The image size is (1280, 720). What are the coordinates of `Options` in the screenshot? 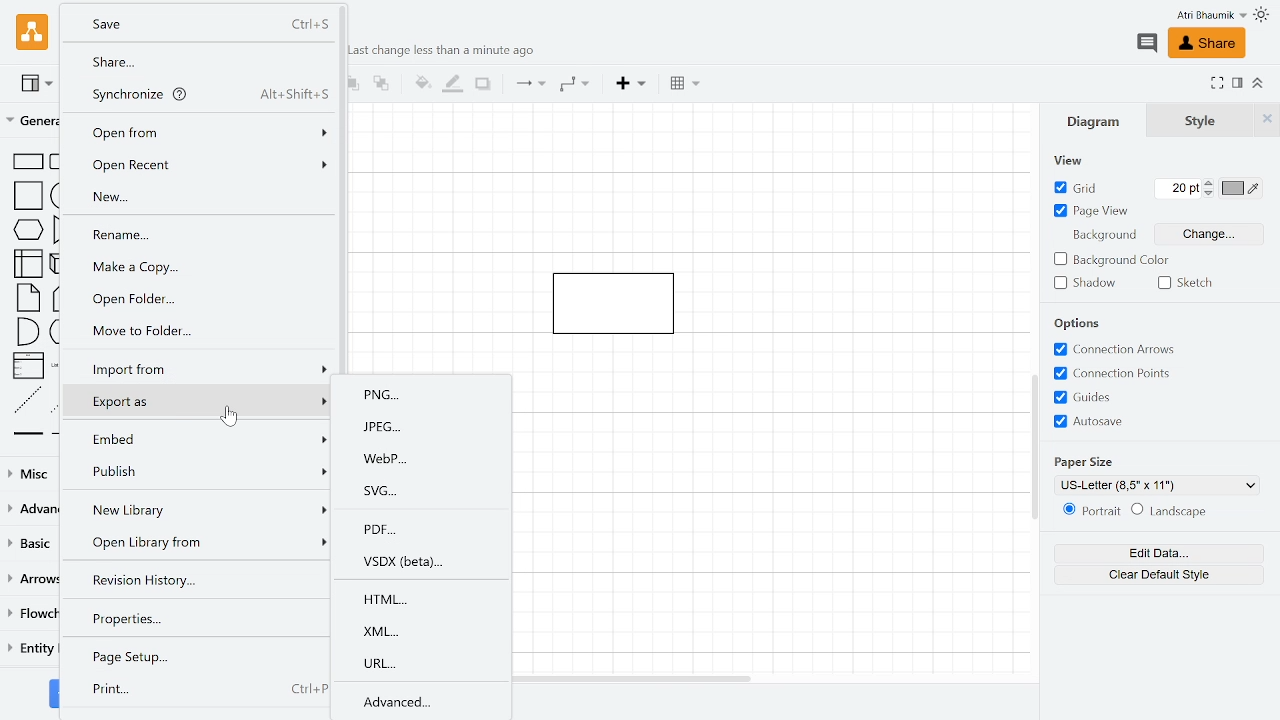 It's located at (1078, 325).